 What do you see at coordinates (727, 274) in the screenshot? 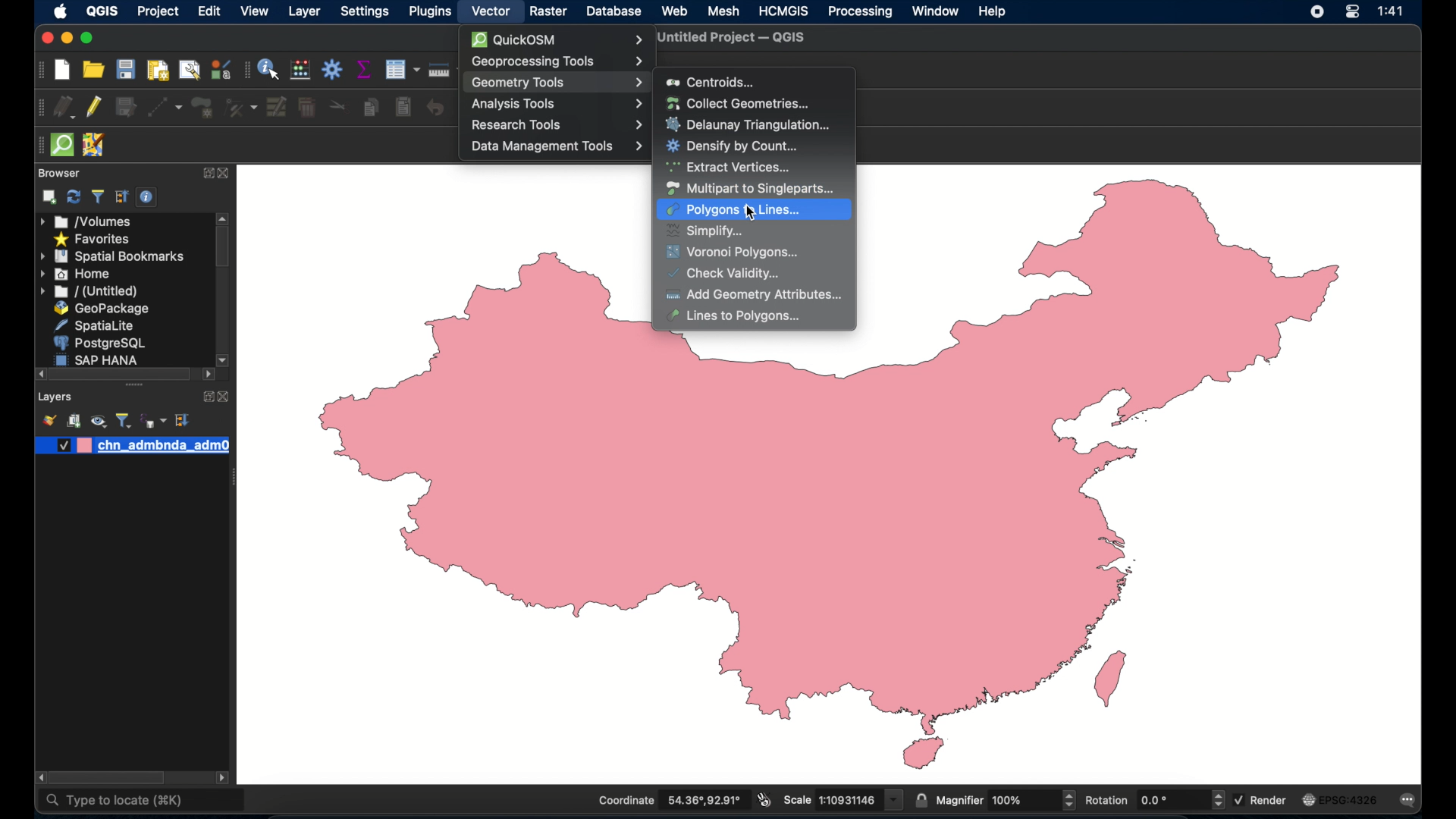
I see `check validity` at bounding box center [727, 274].